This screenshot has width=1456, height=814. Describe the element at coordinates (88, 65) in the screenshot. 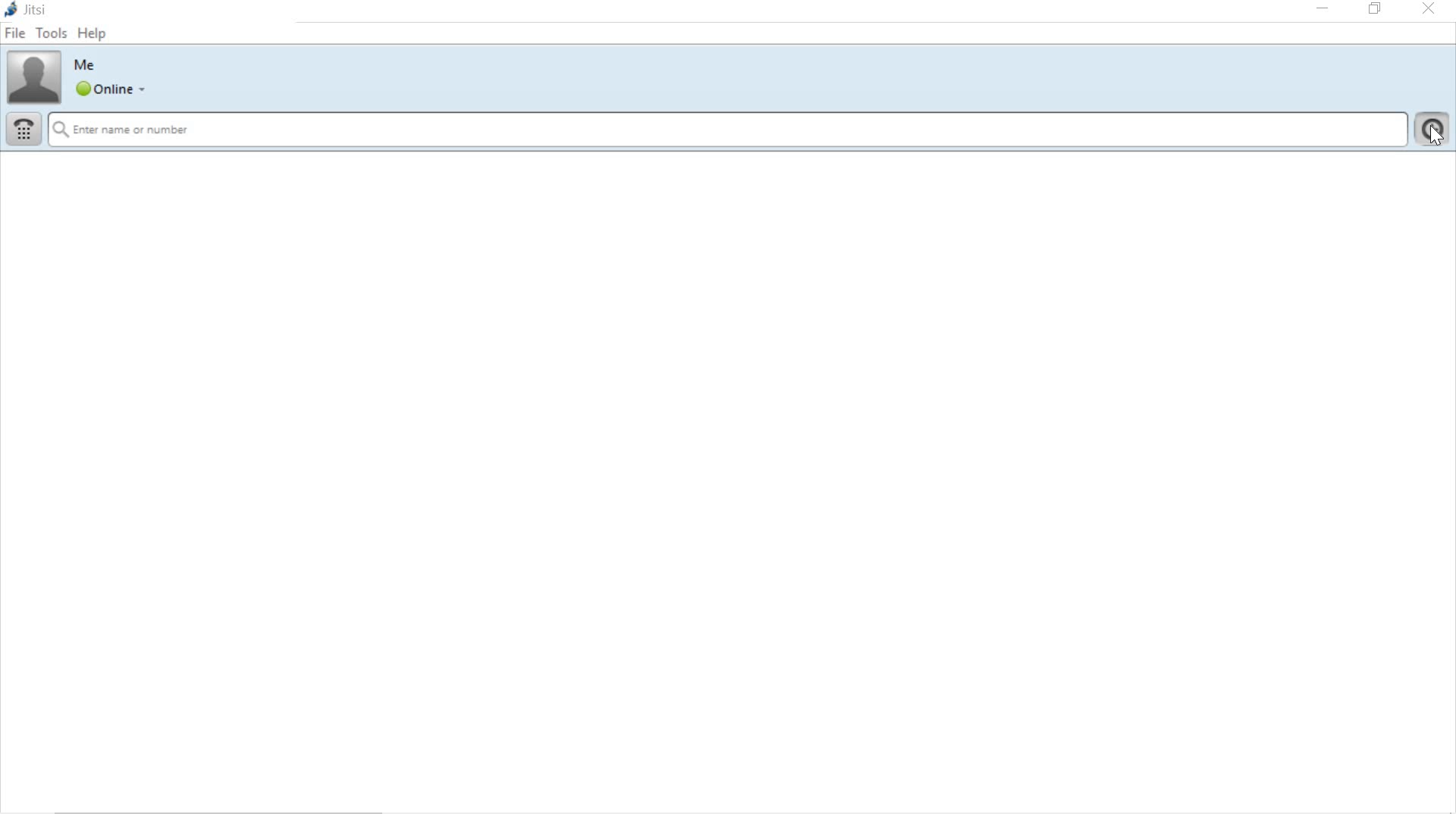

I see `Me` at that location.